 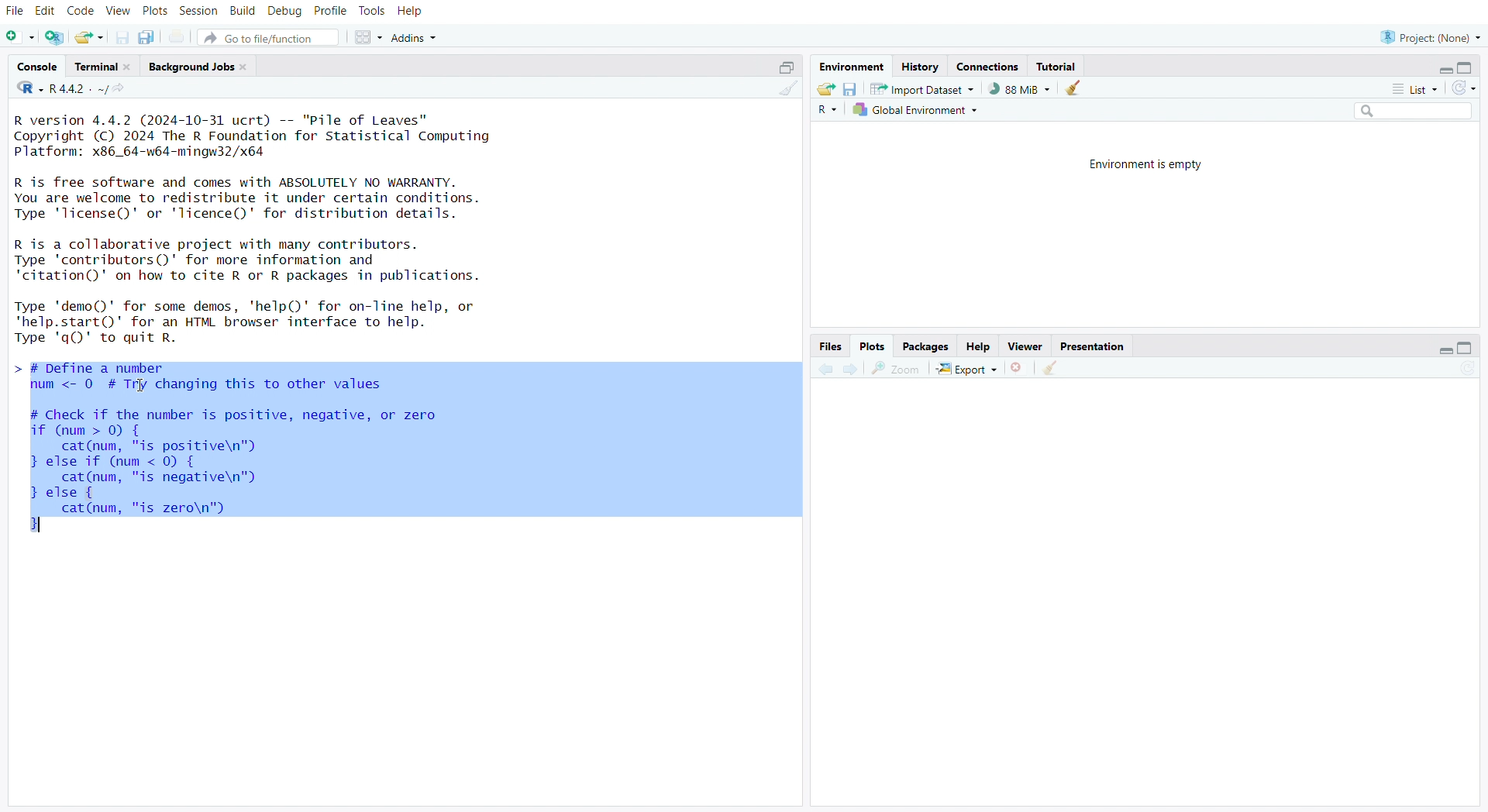 What do you see at coordinates (926, 347) in the screenshot?
I see `packages` at bounding box center [926, 347].